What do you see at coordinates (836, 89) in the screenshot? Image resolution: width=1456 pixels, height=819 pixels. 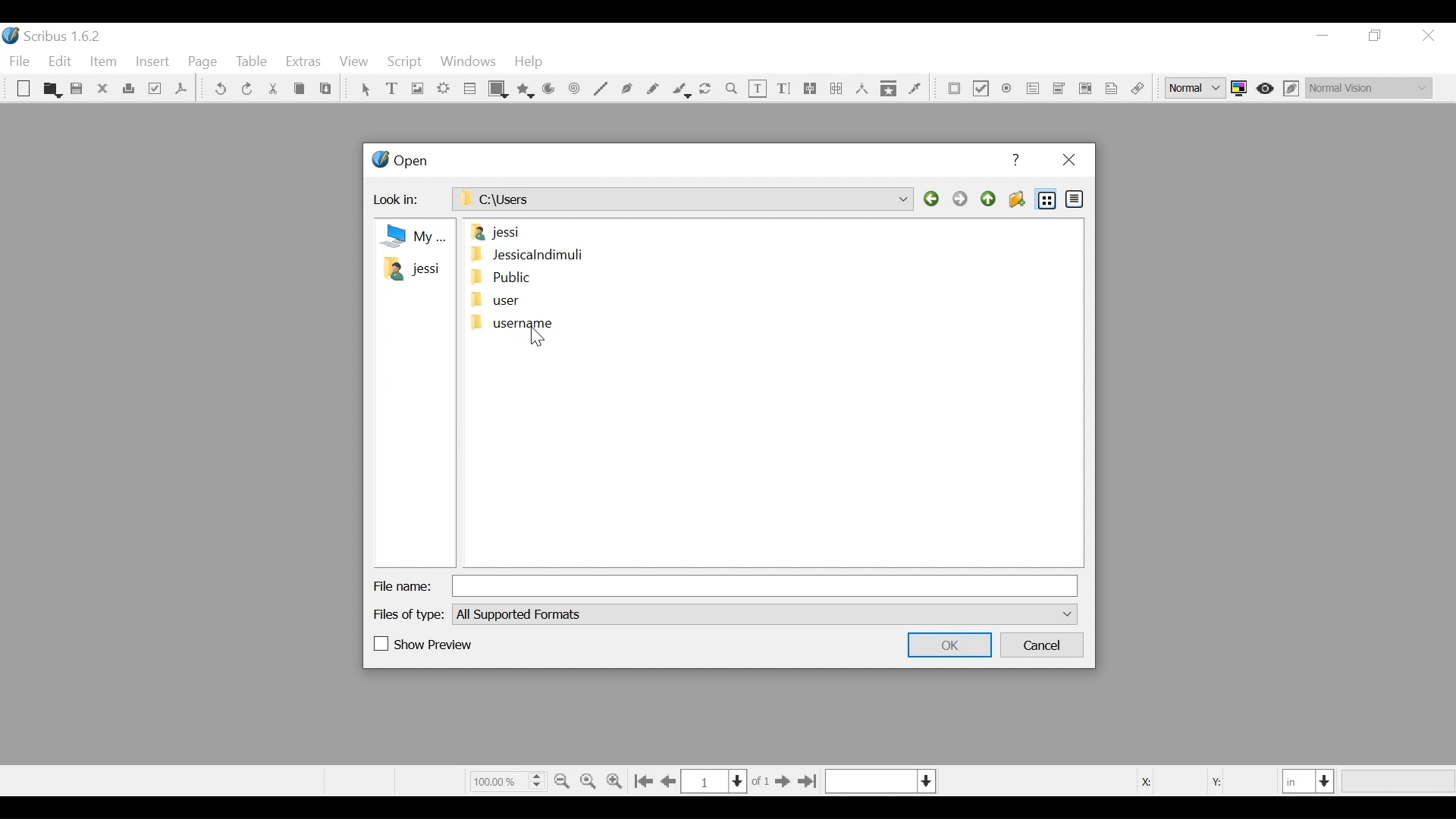 I see `Unlink Text frame` at bounding box center [836, 89].